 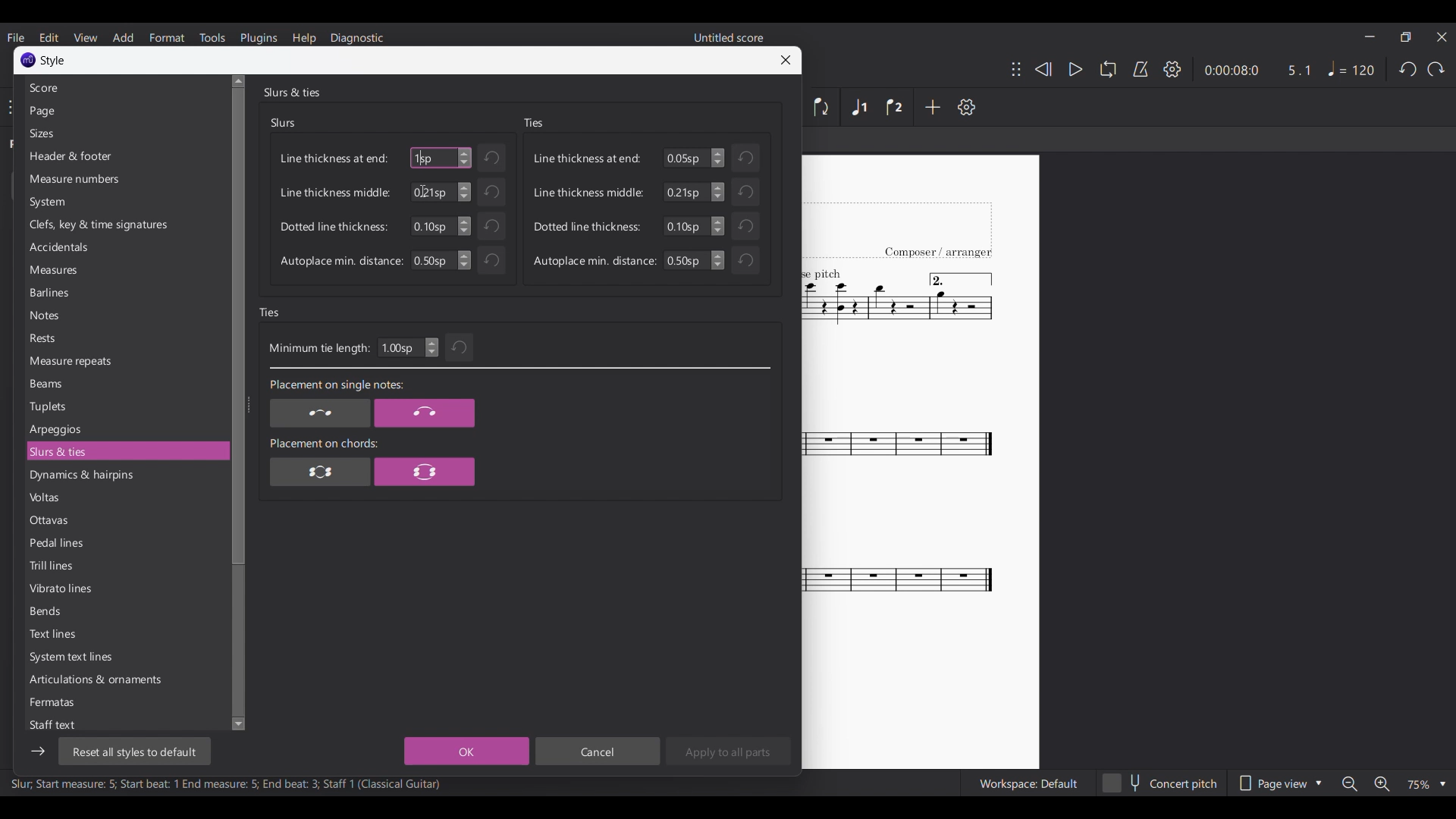 What do you see at coordinates (1108, 69) in the screenshot?
I see `Loop playback` at bounding box center [1108, 69].